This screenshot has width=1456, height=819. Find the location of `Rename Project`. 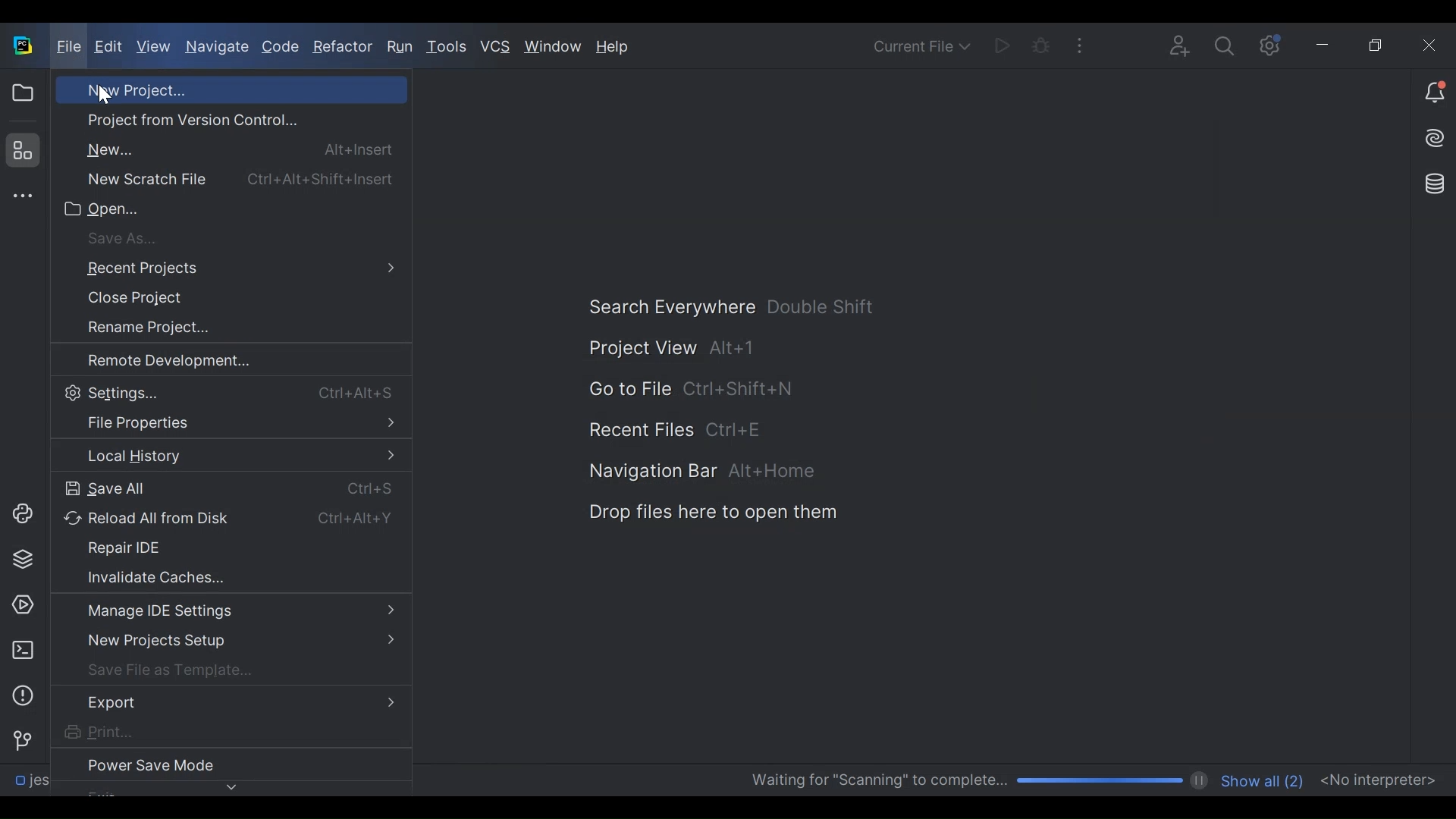

Rename Project is located at coordinates (211, 328).